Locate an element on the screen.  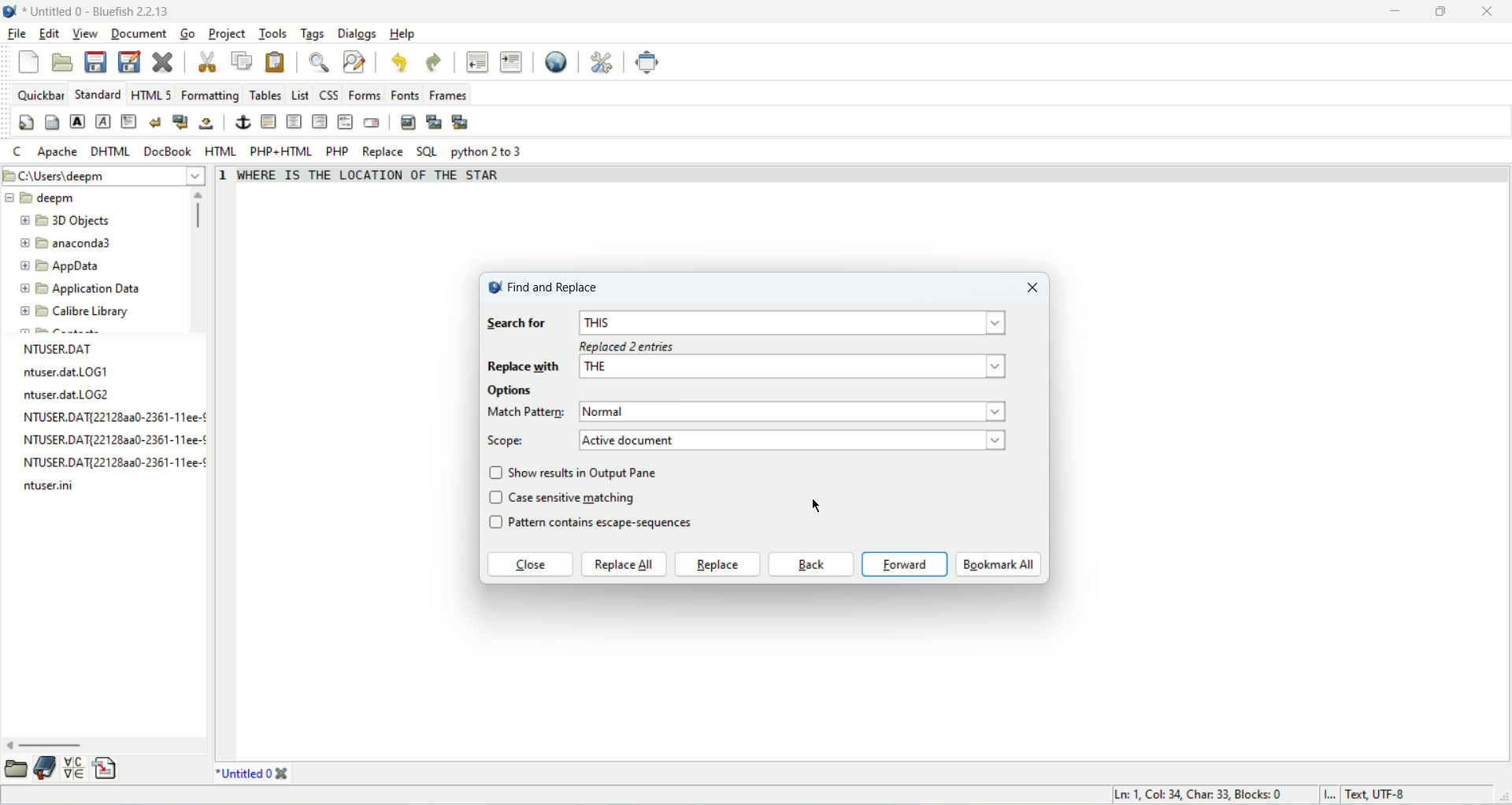
emphasis is located at coordinates (102, 121).